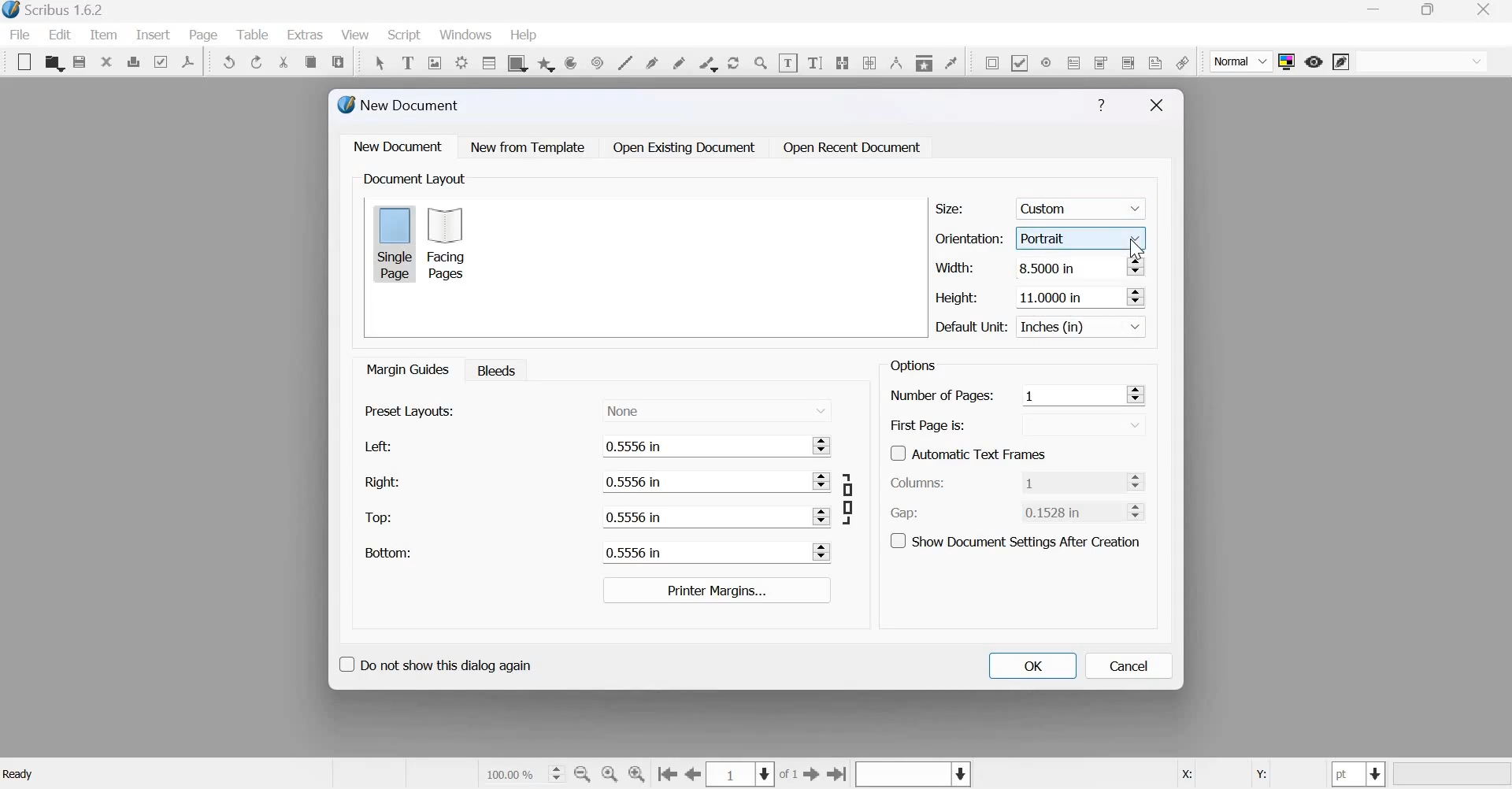 Image resolution: width=1512 pixels, height=789 pixels. Describe the element at coordinates (546, 62) in the screenshot. I see `arc` at that location.